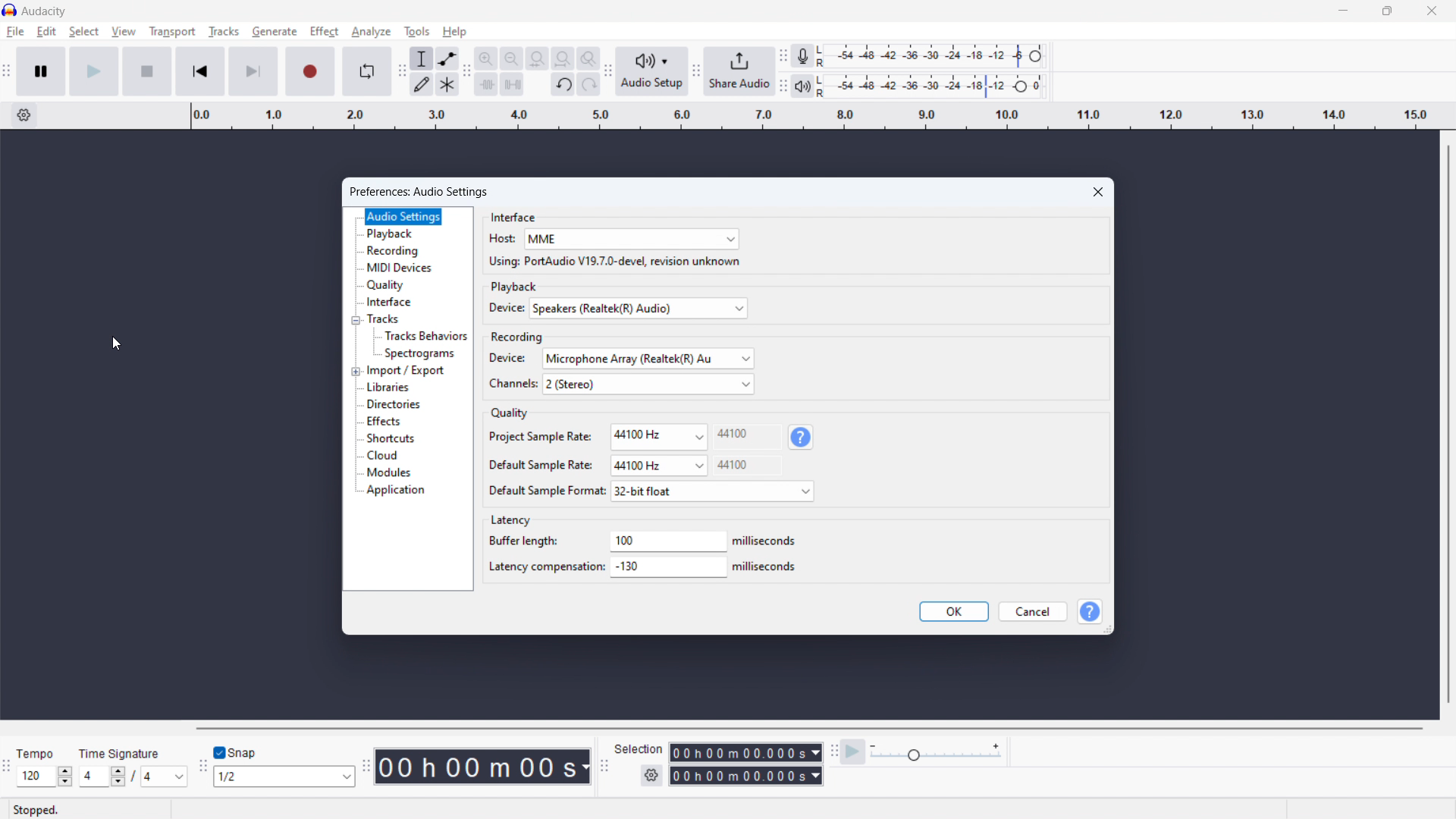  Describe the element at coordinates (1091, 611) in the screenshot. I see `help` at that location.